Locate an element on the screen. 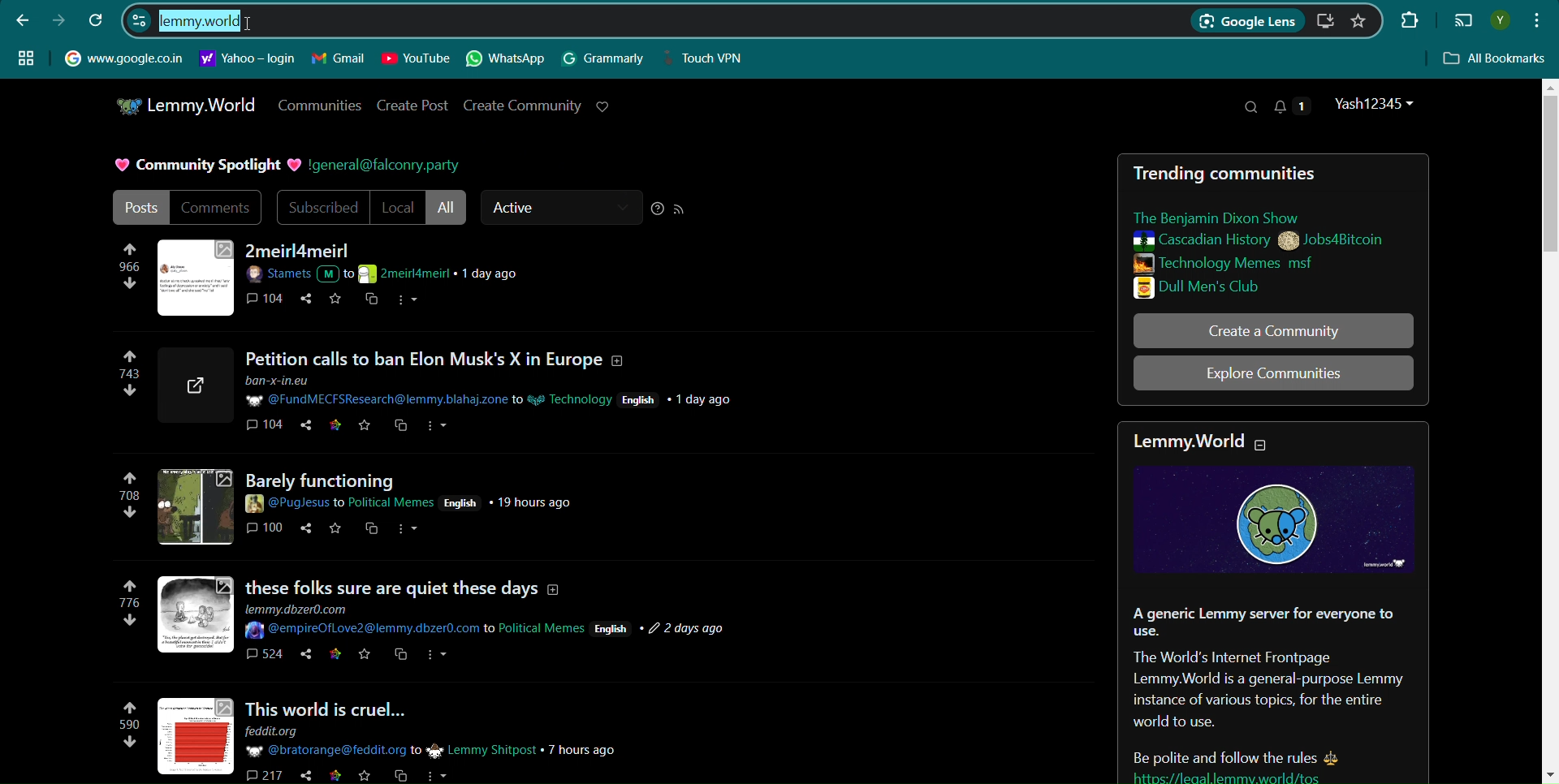  Barely functioning is located at coordinates (348, 477).